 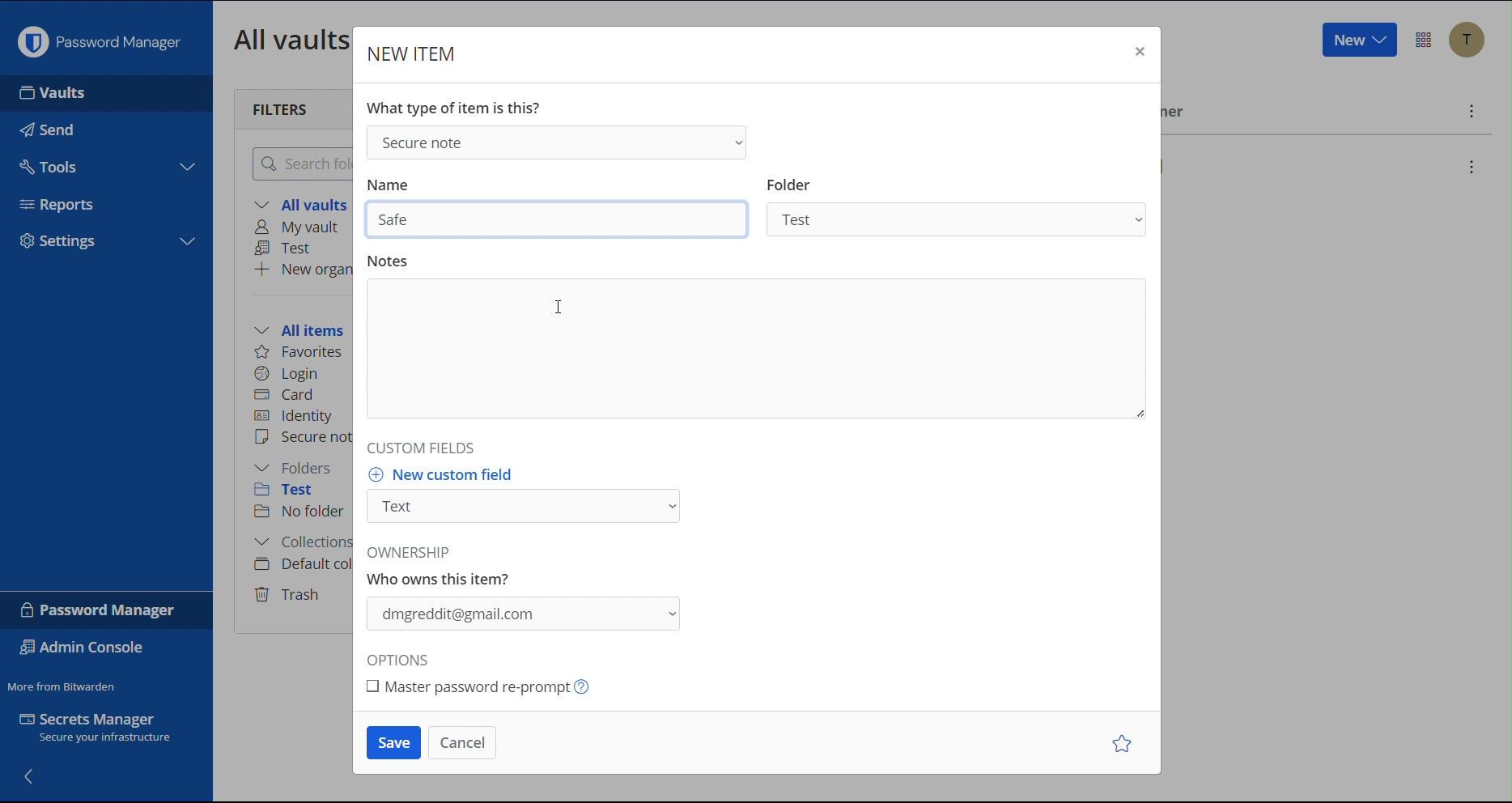 I want to click on Login, so click(x=287, y=372).